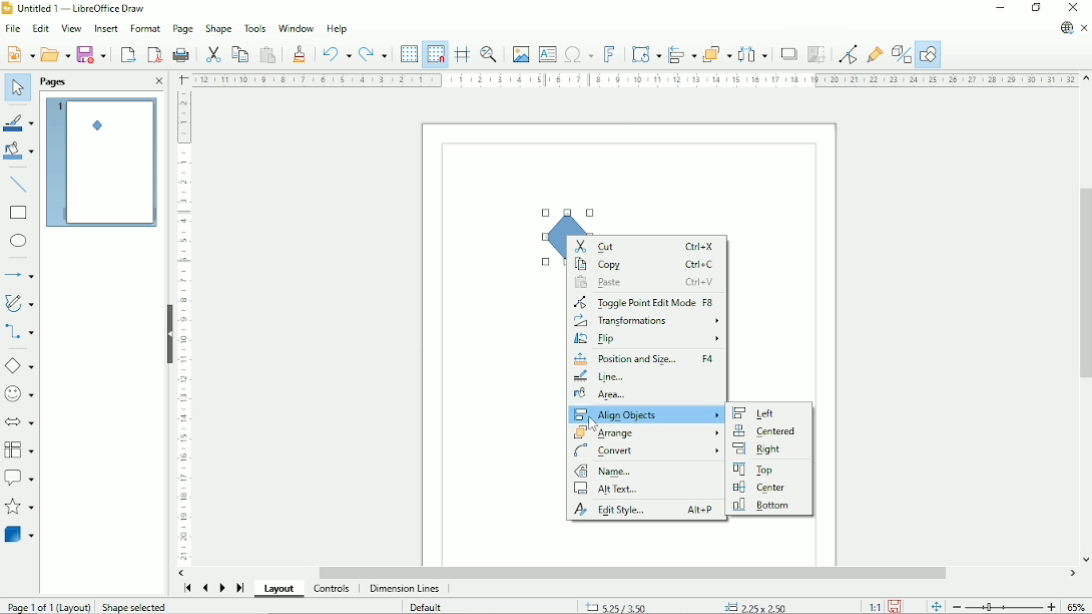  I want to click on Shape selected, so click(135, 605).